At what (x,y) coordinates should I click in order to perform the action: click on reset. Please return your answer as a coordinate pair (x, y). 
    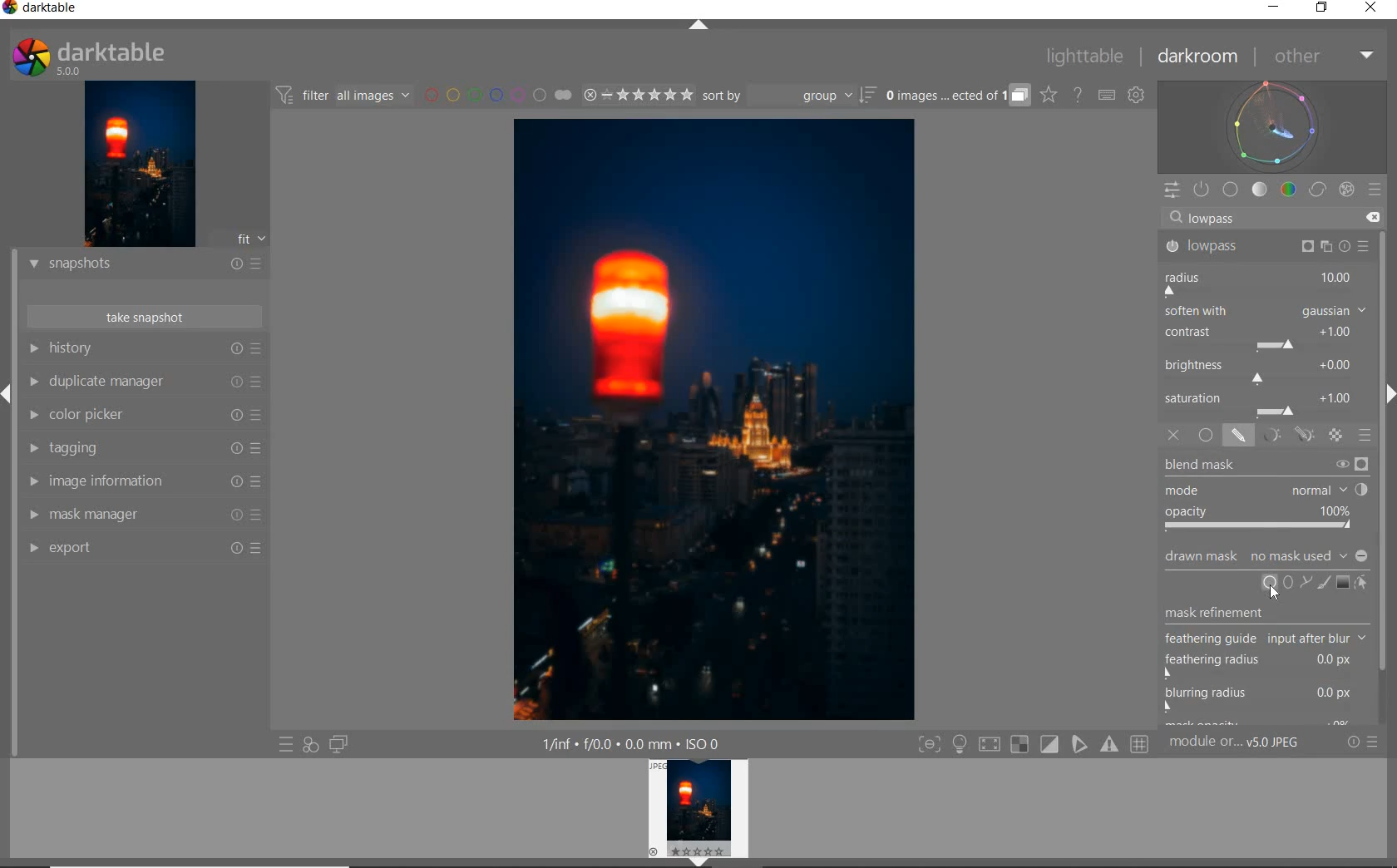
    Looking at the image, I should click on (1347, 249).